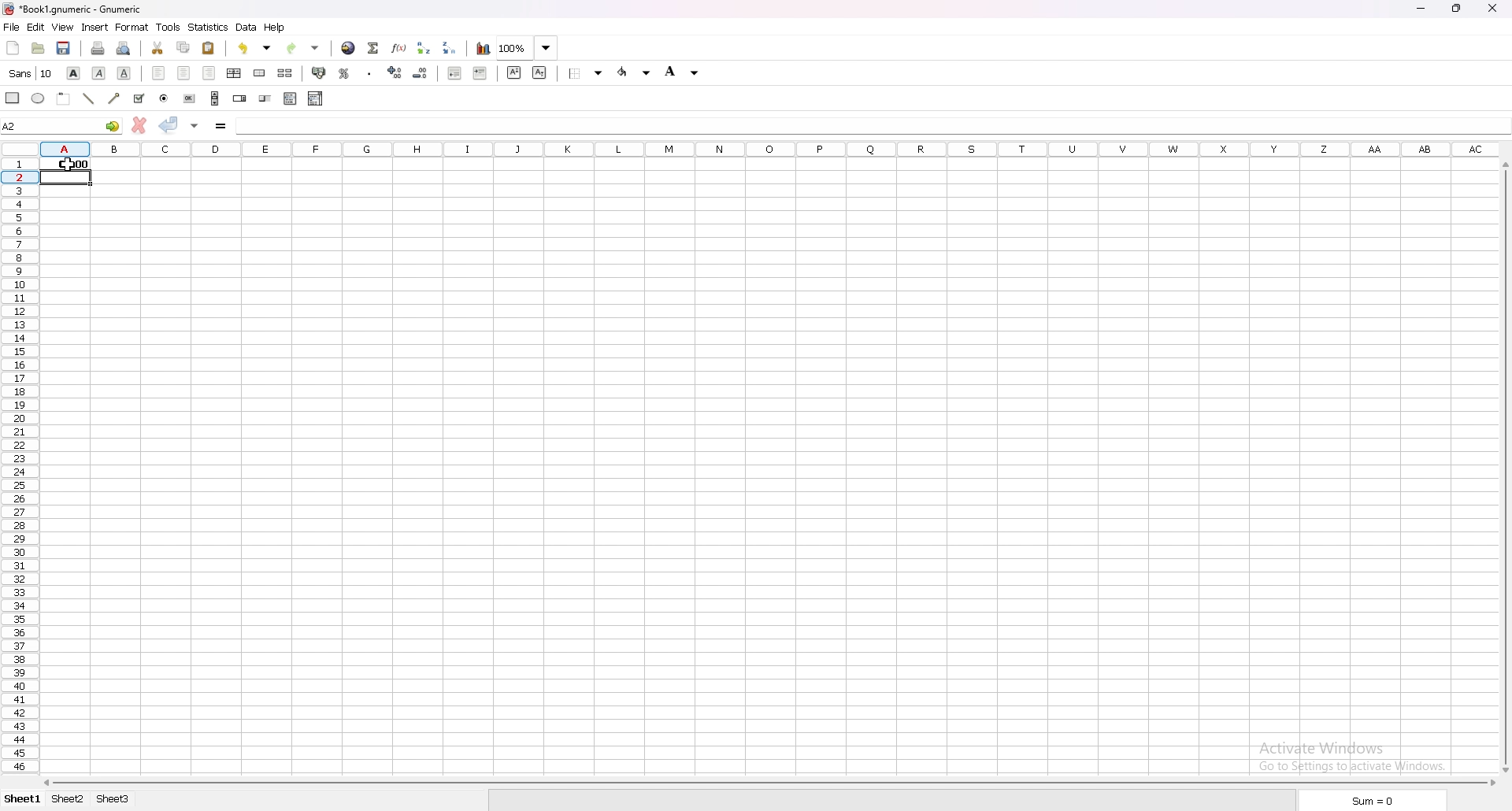 This screenshot has height=811, width=1512. Describe the element at coordinates (247, 27) in the screenshot. I see `data` at that location.